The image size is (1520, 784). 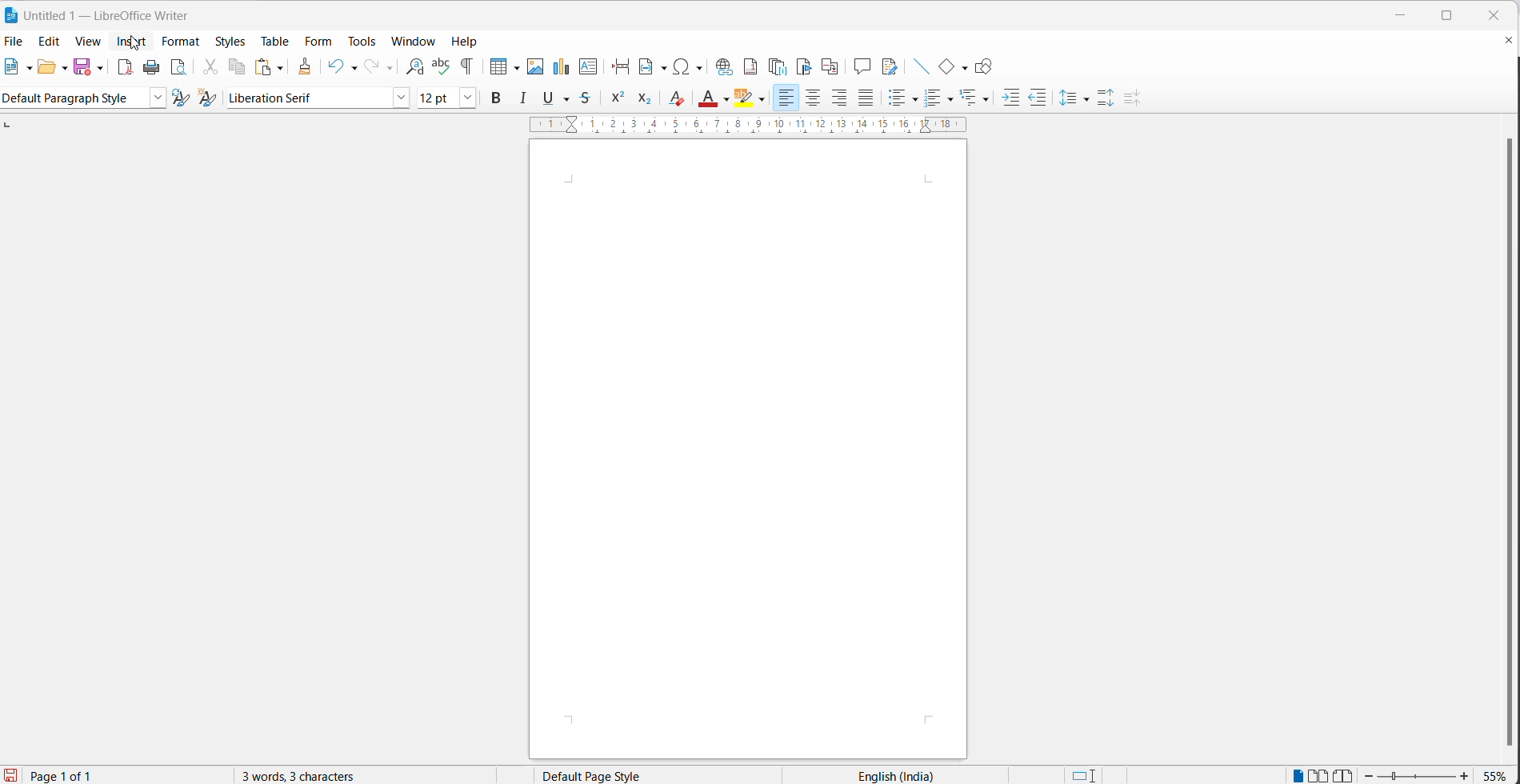 I want to click on file, so click(x=16, y=40).